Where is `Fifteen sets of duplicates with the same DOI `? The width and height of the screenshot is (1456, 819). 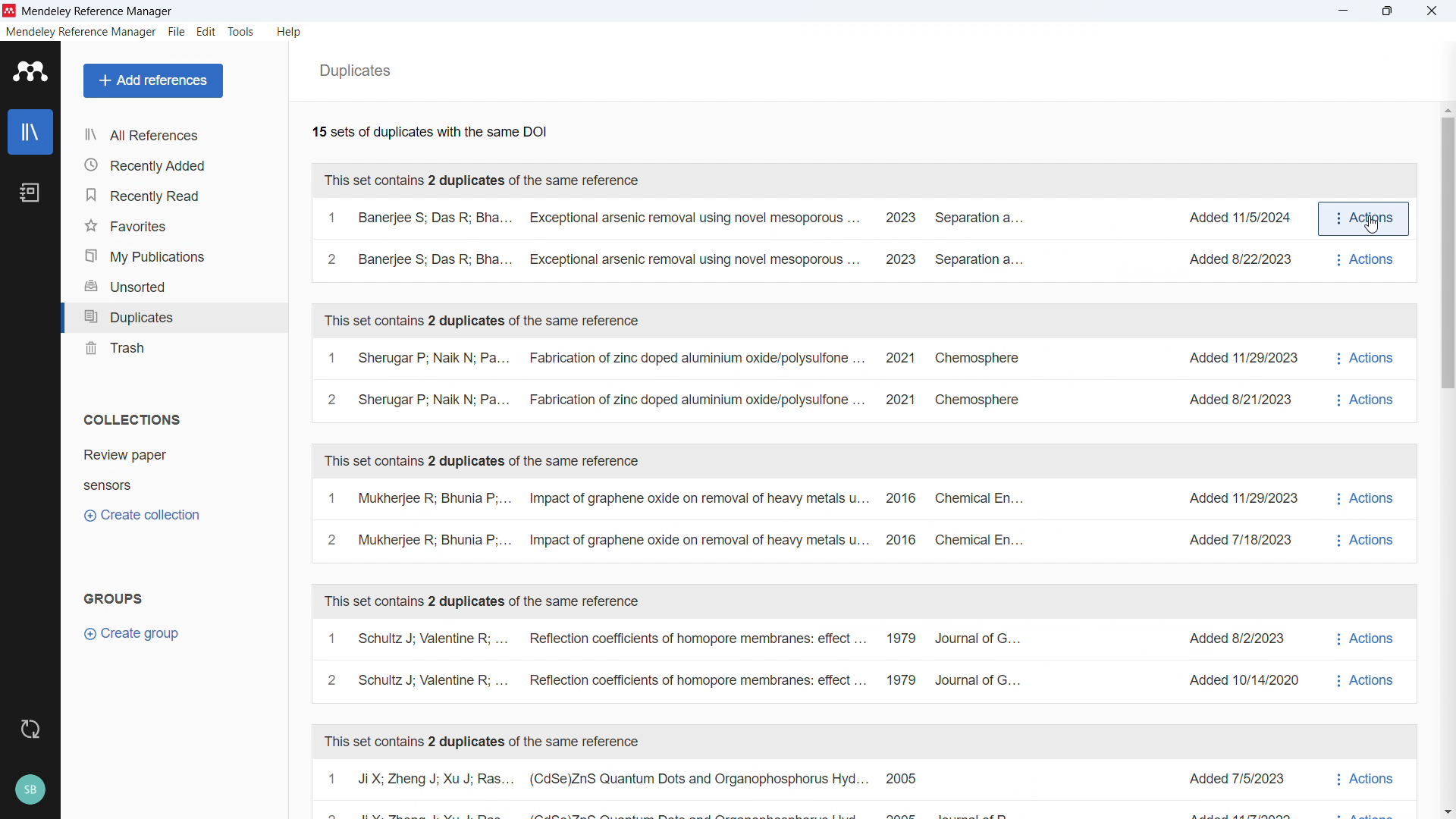 Fifteen sets of duplicates with the same DOI  is located at coordinates (429, 130).